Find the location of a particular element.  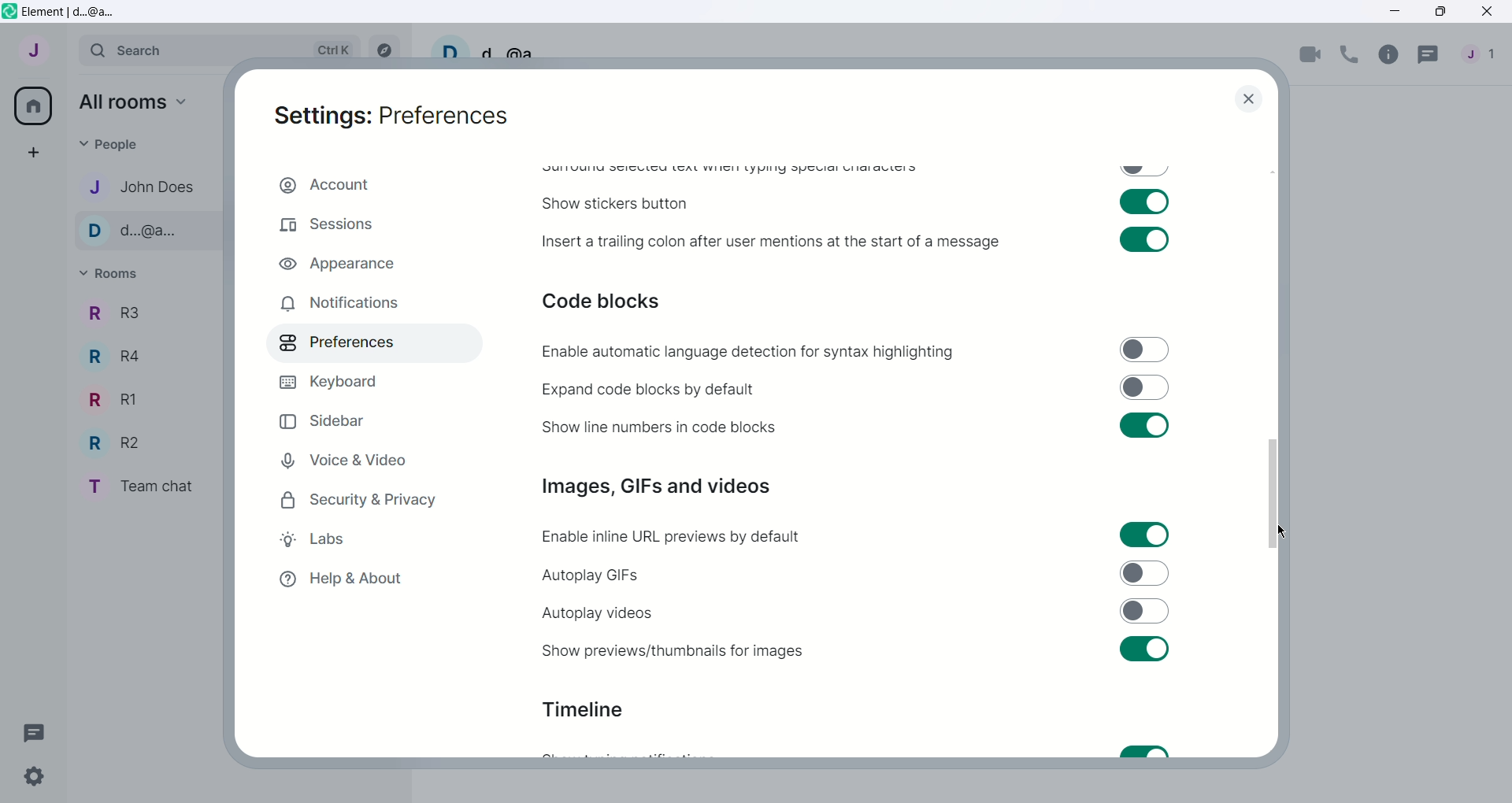

Images, GIFs and videos is located at coordinates (655, 487).